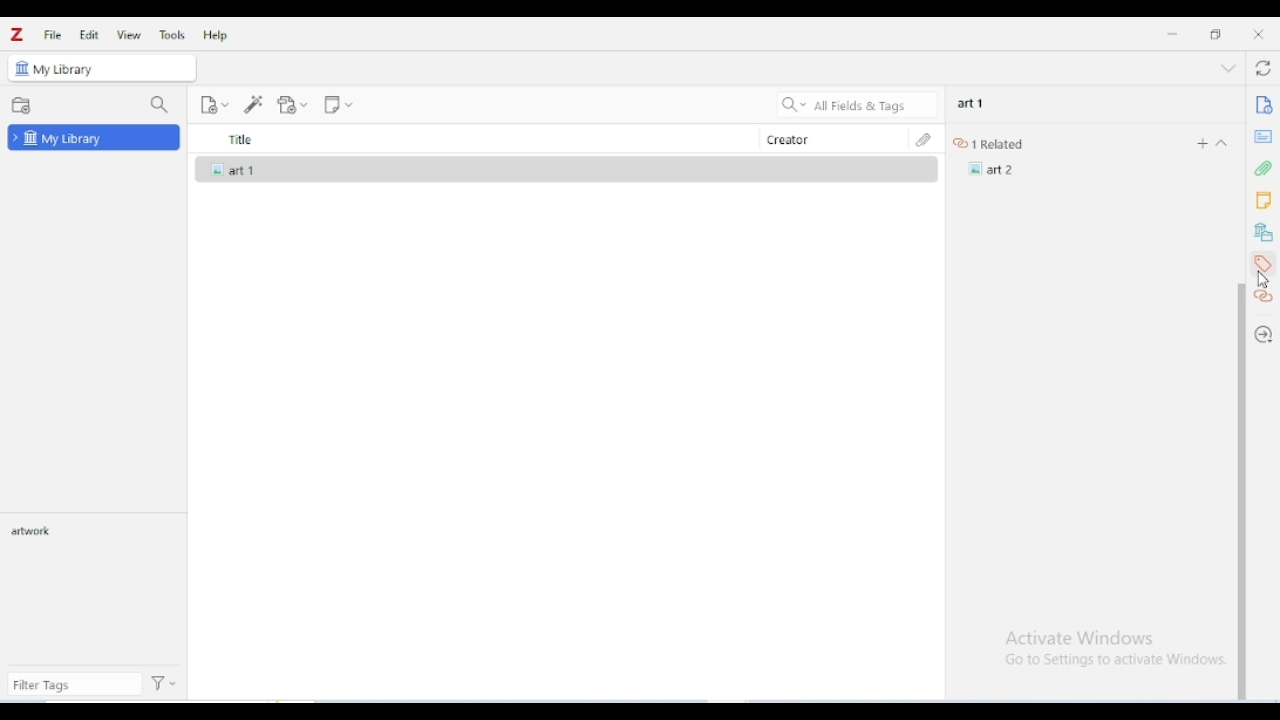 The width and height of the screenshot is (1280, 720). Describe the element at coordinates (831, 139) in the screenshot. I see `creator` at that location.